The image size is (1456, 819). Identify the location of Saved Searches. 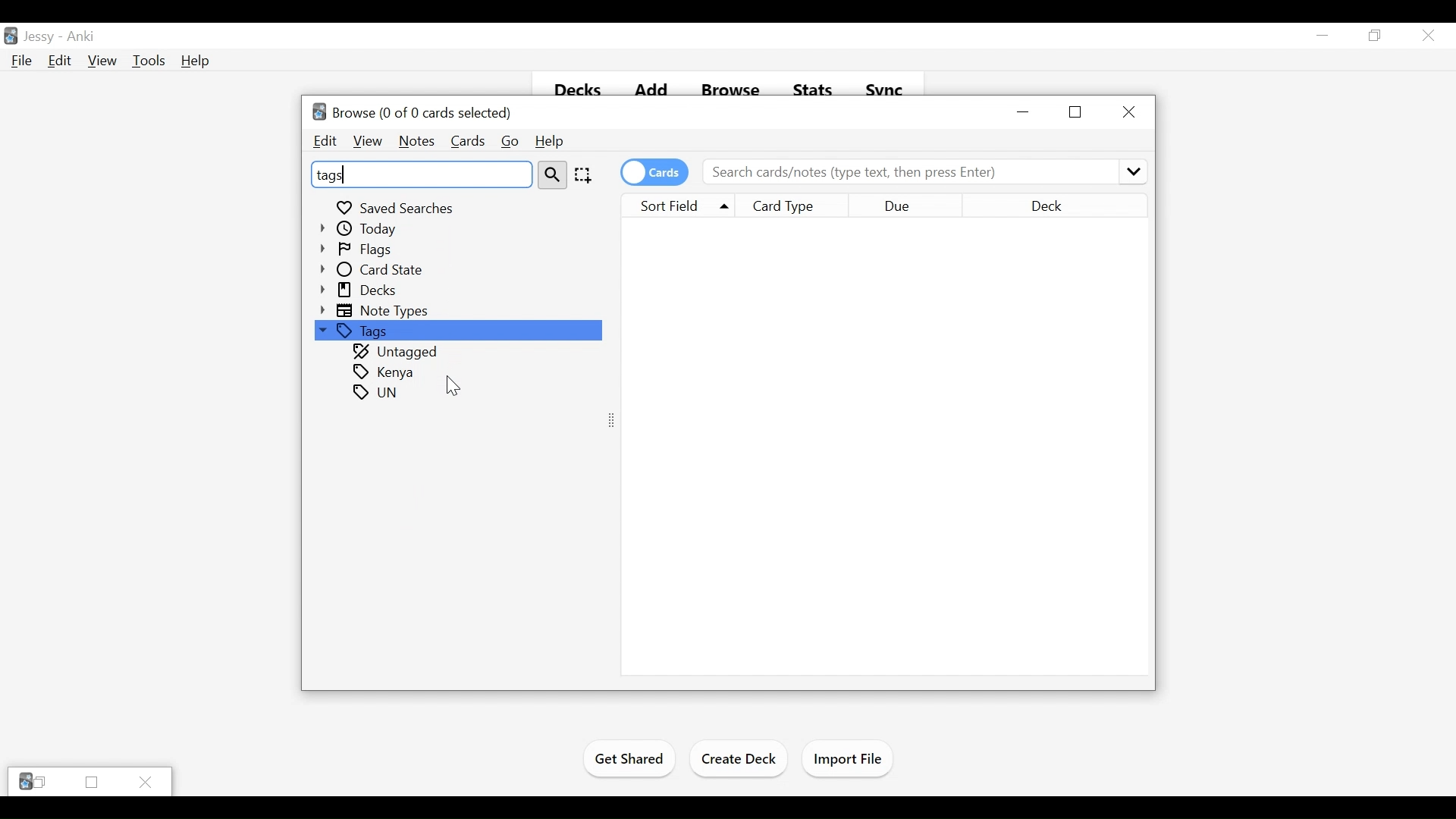
(397, 206).